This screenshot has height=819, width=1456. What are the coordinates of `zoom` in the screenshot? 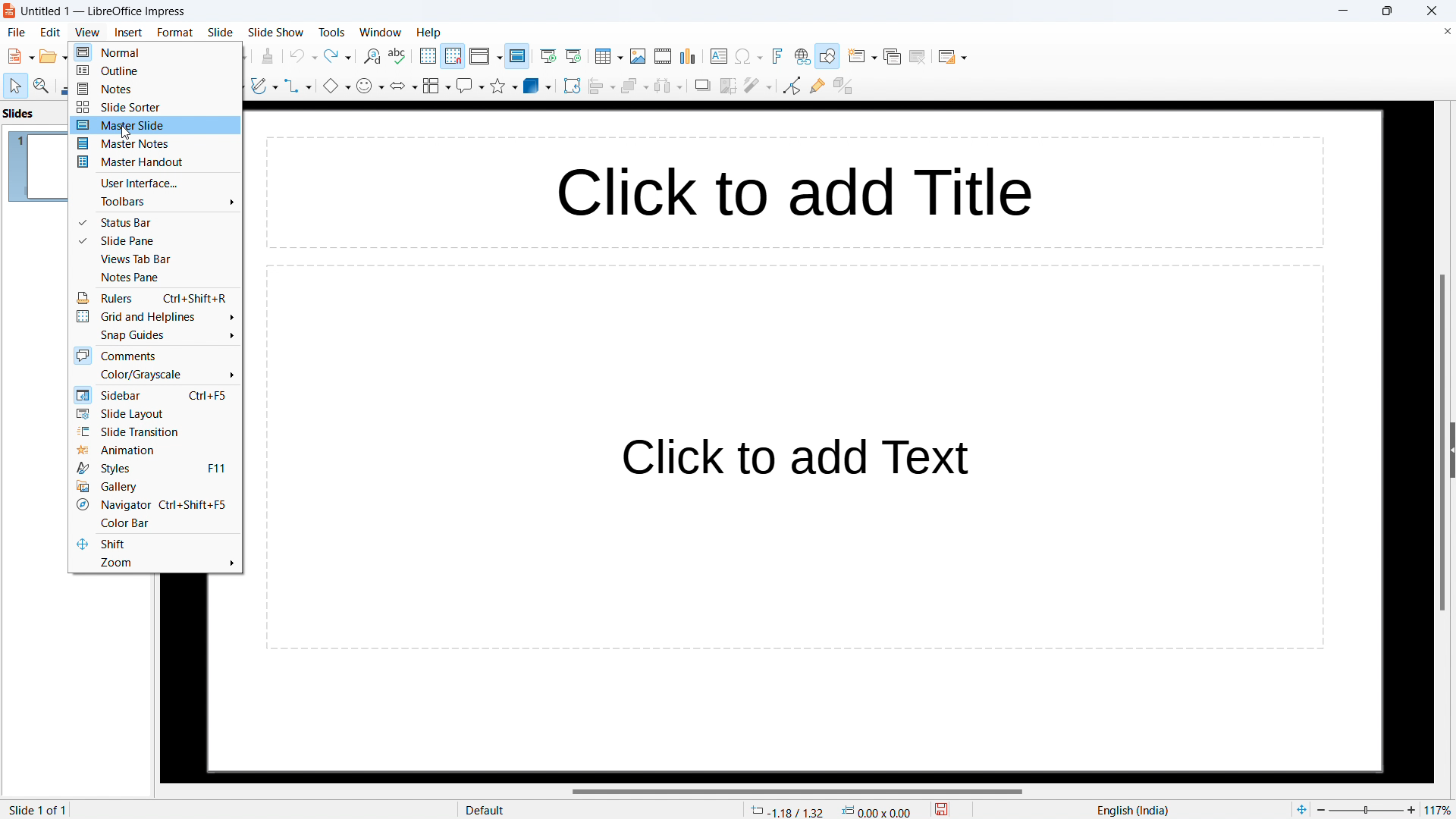 It's located at (155, 563).